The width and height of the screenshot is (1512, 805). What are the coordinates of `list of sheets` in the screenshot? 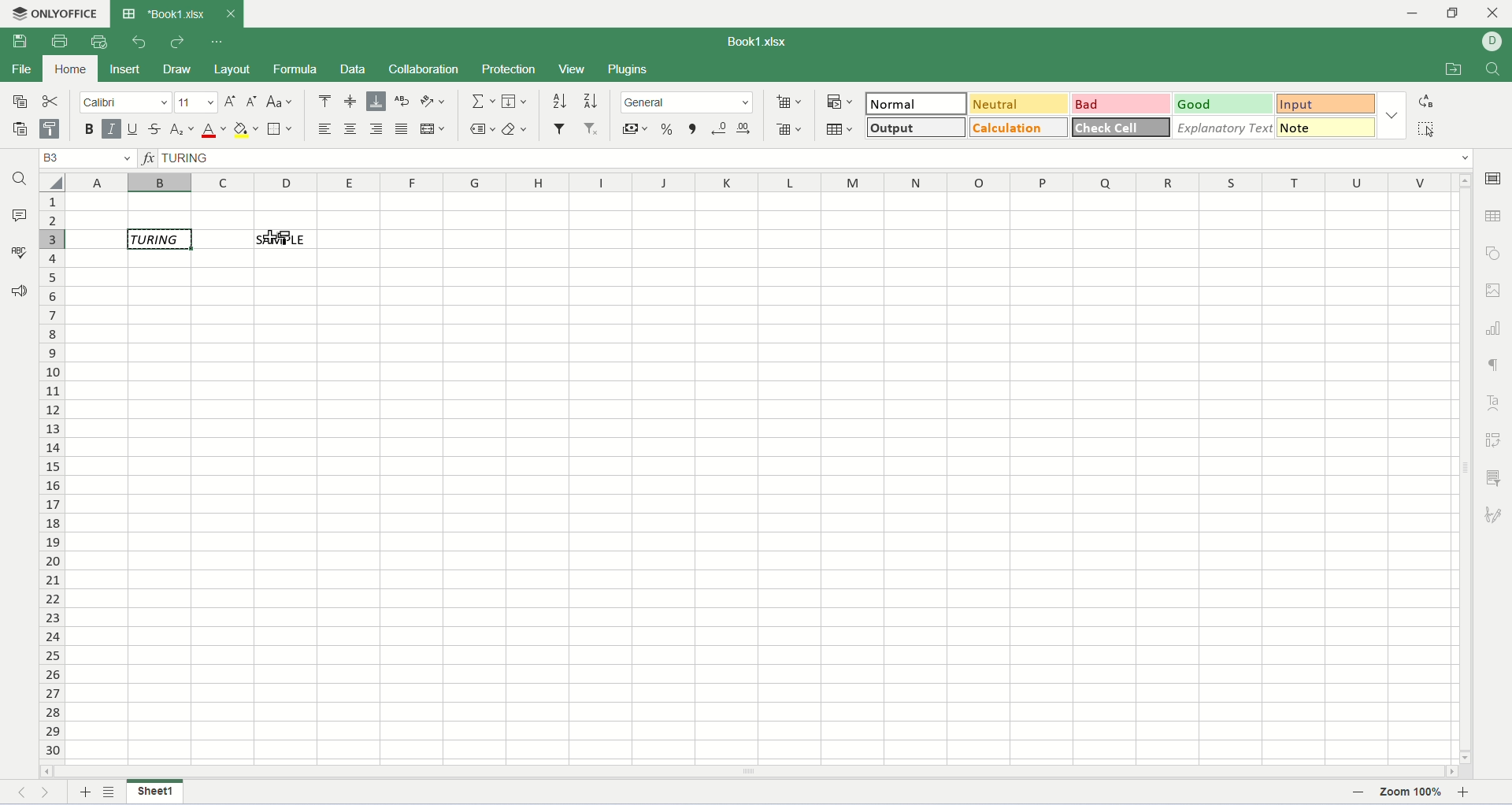 It's located at (111, 792).